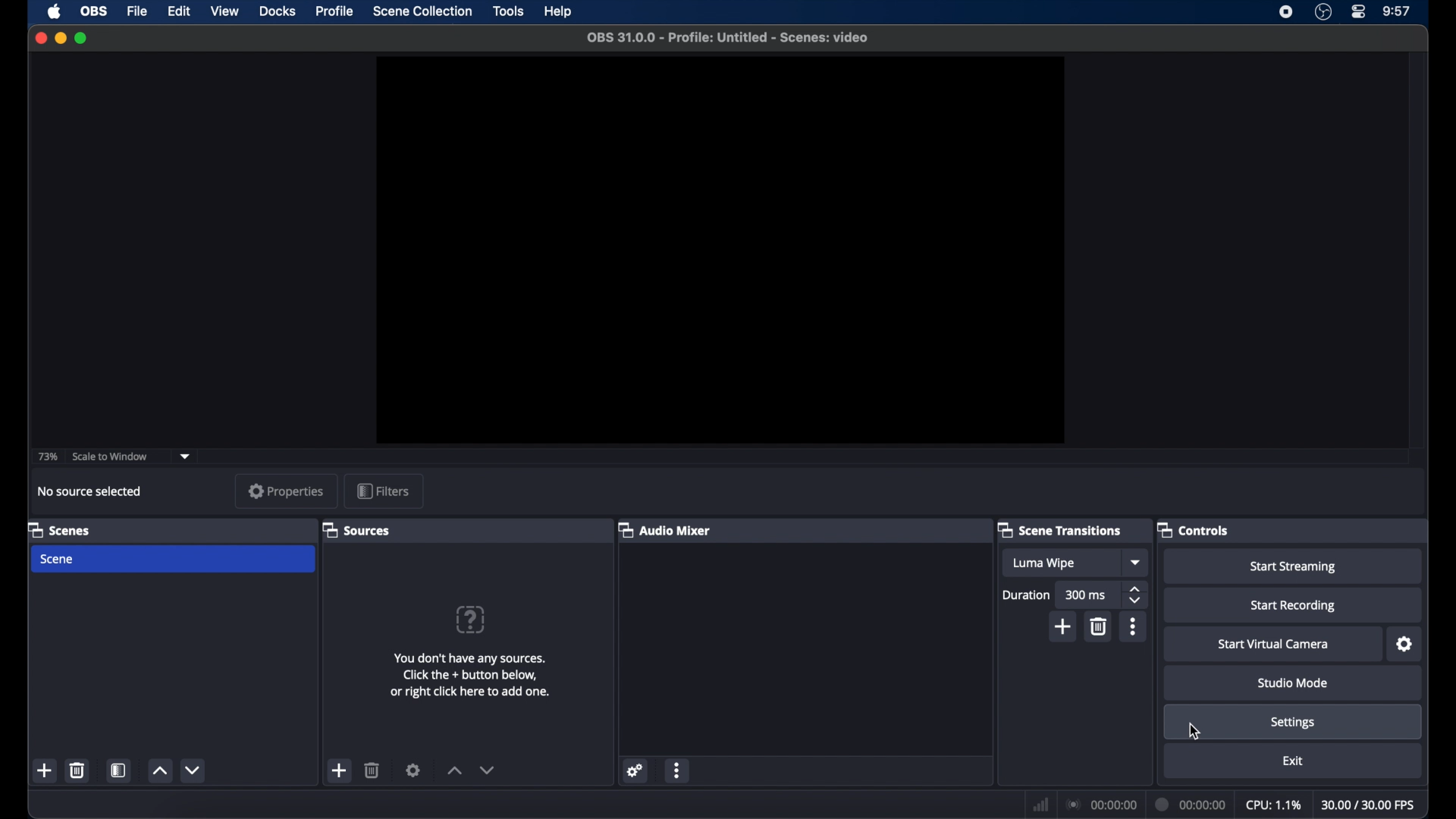  I want to click on scene filters, so click(119, 770).